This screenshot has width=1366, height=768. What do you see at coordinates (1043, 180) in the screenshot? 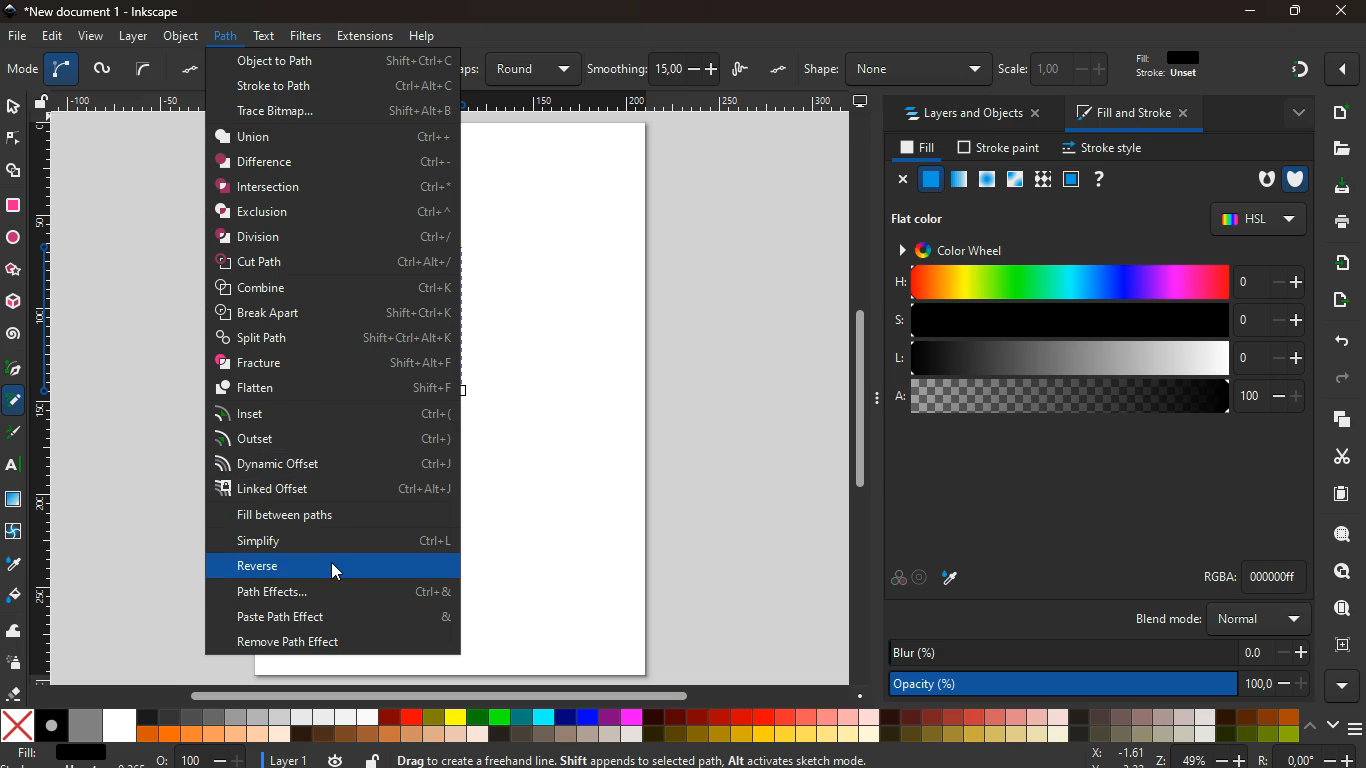
I see `texture` at bounding box center [1043, 180].